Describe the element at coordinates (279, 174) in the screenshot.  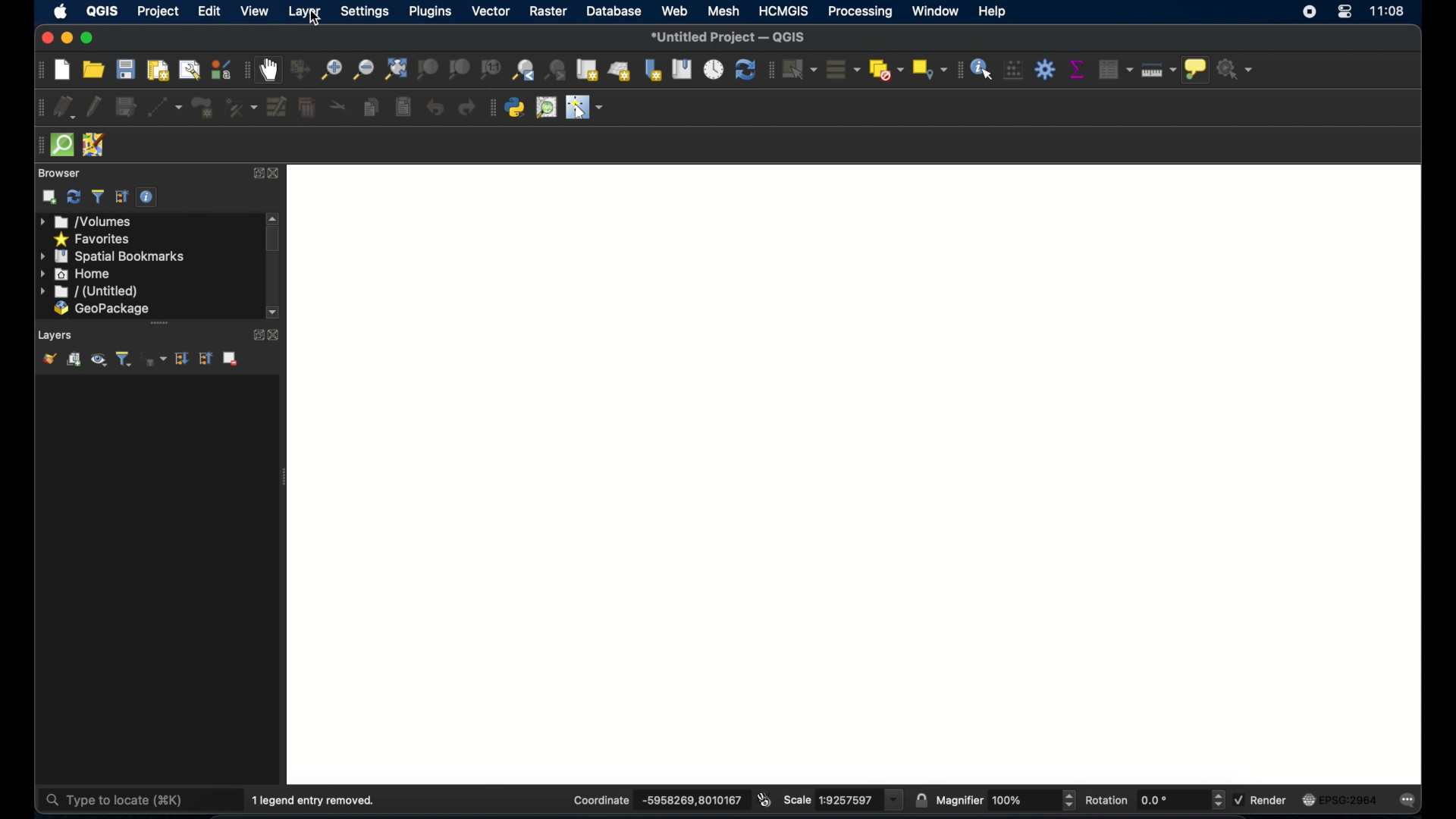
I see `close` at that location.